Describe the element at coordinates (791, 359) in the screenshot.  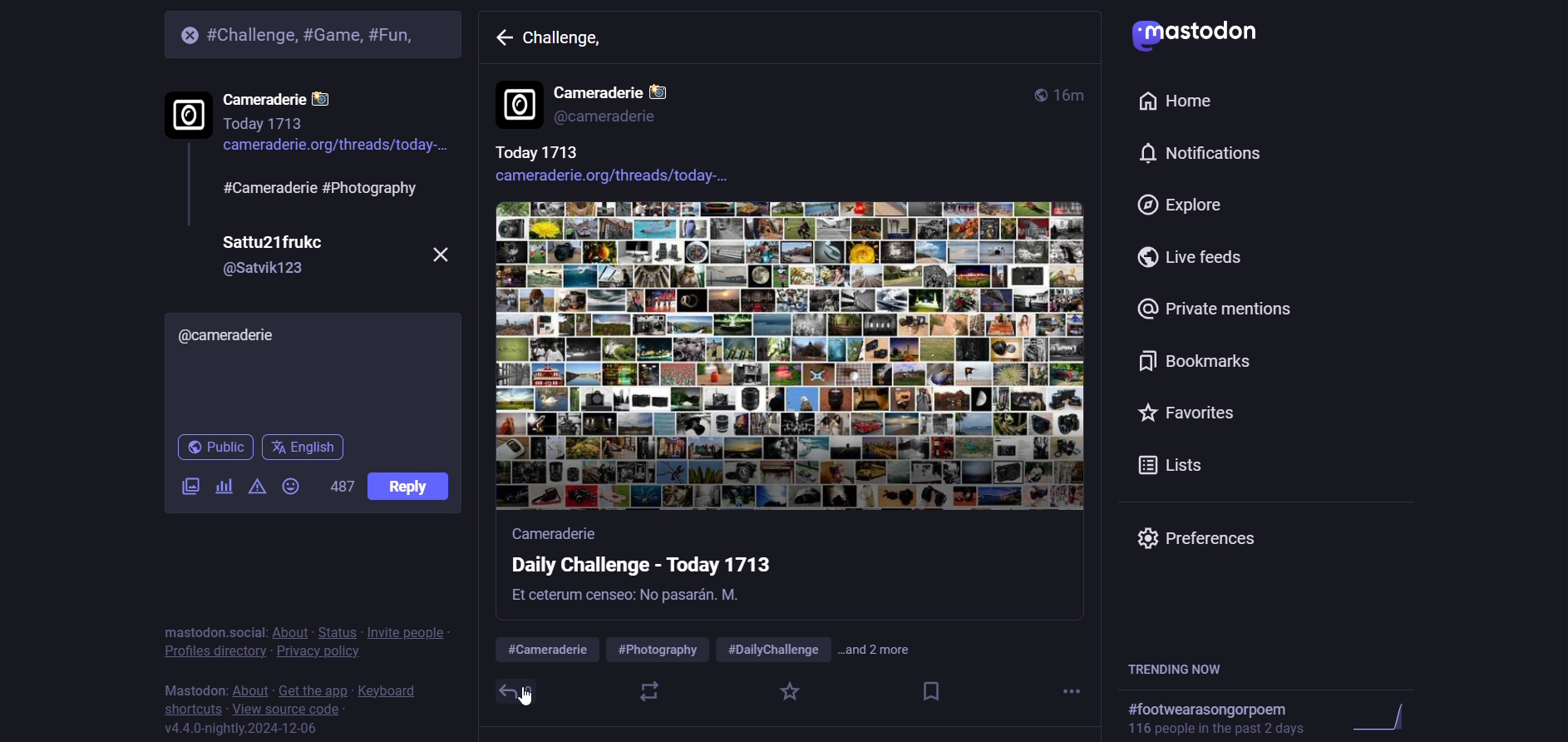
I see `image` at that location.